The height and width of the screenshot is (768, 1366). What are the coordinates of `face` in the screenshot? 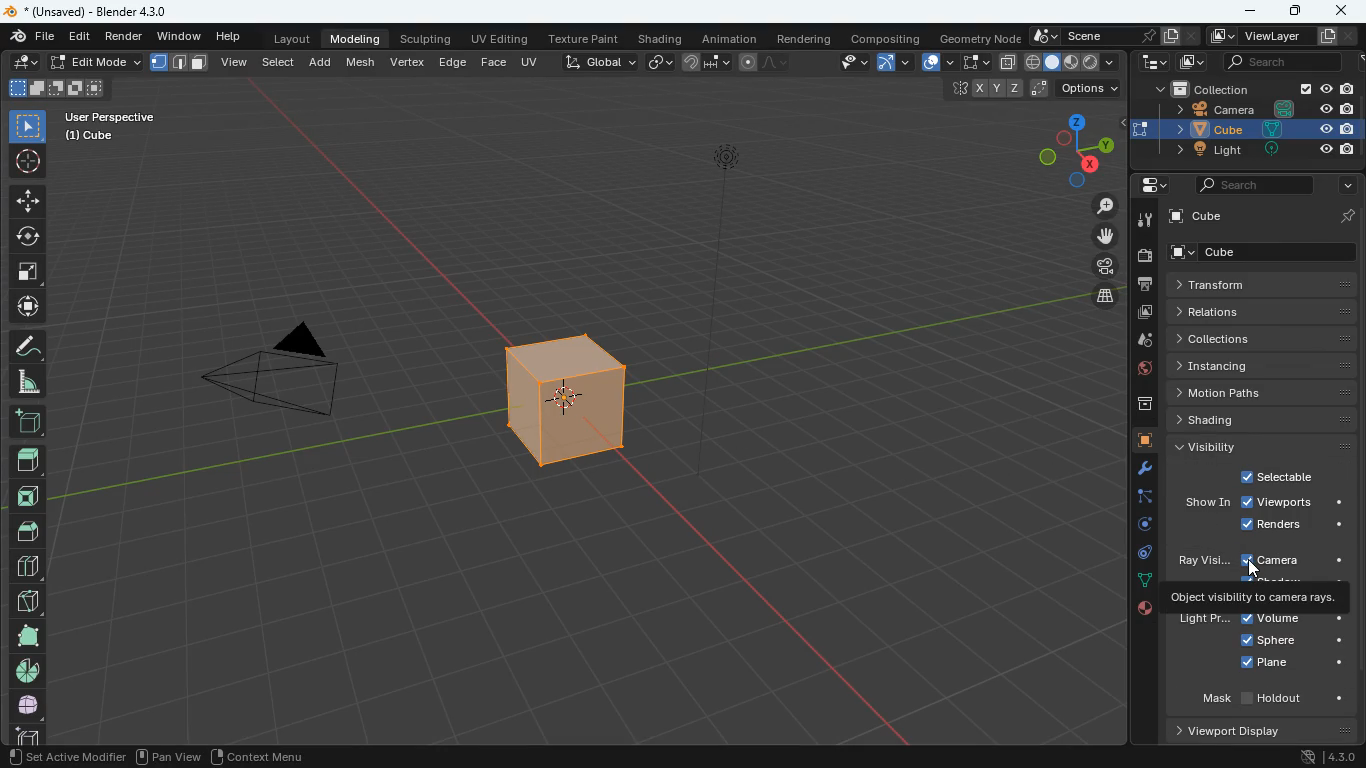 It's located at (493, 63).